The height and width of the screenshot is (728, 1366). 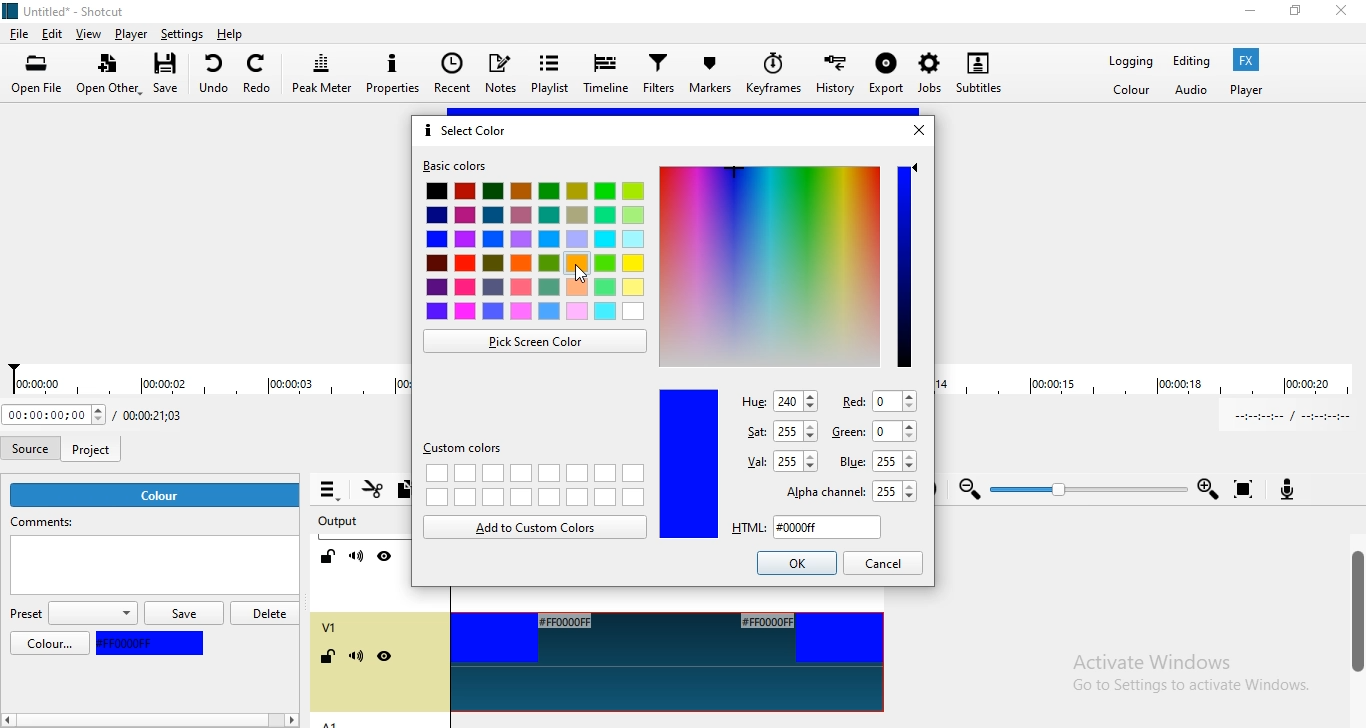 What do you see at coordinates (162, 415) in the screenshot?
I see `Total duration` at bounding box center [162, 415].